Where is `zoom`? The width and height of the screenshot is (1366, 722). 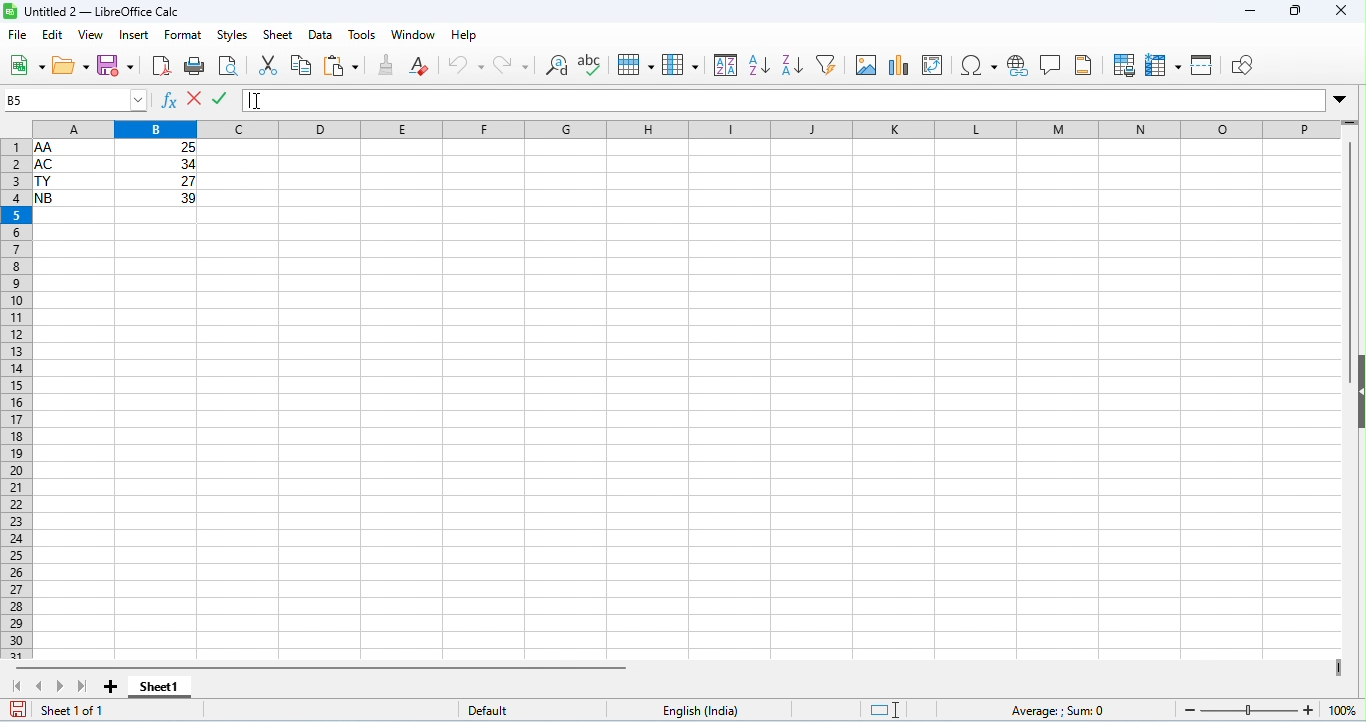 zoom is located at coordinates (1264, 709).